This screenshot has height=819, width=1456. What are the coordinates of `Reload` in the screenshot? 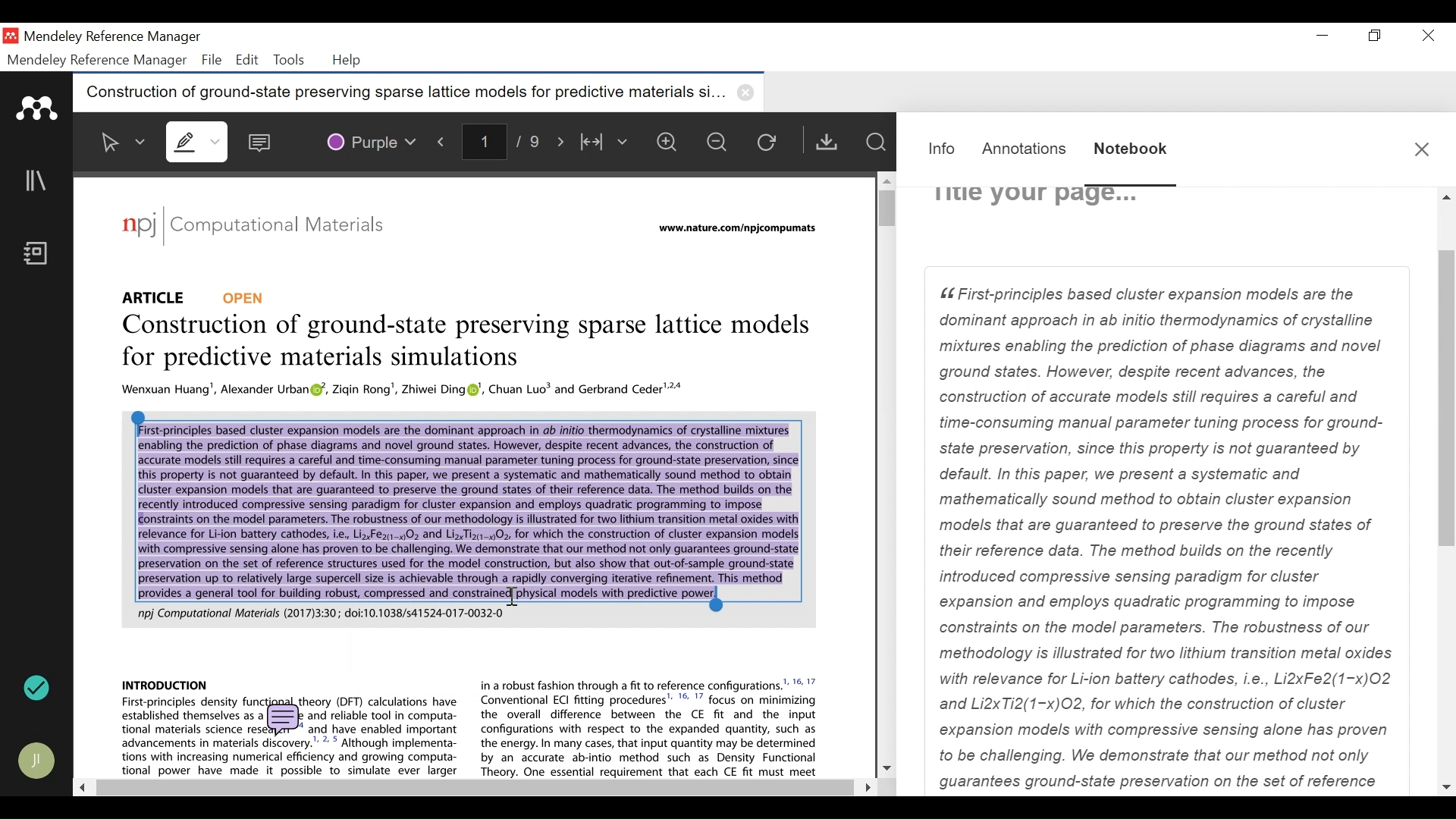 It's located at (770, 141).